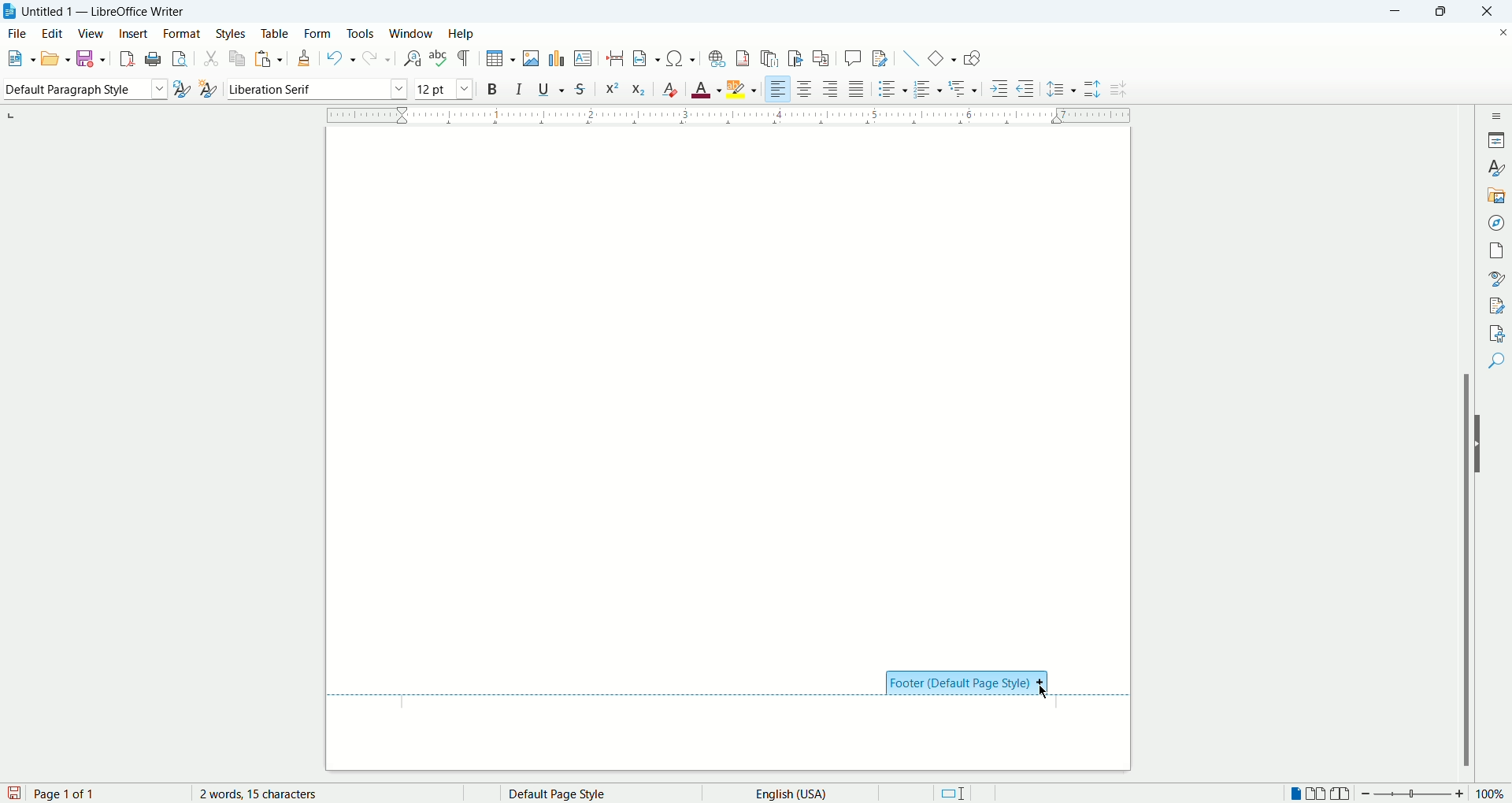 The width and height of the screenshot is (1512, 803). Describe the element at coordinates (1400, 10) in the screenshot. I see `minimize` at that location.